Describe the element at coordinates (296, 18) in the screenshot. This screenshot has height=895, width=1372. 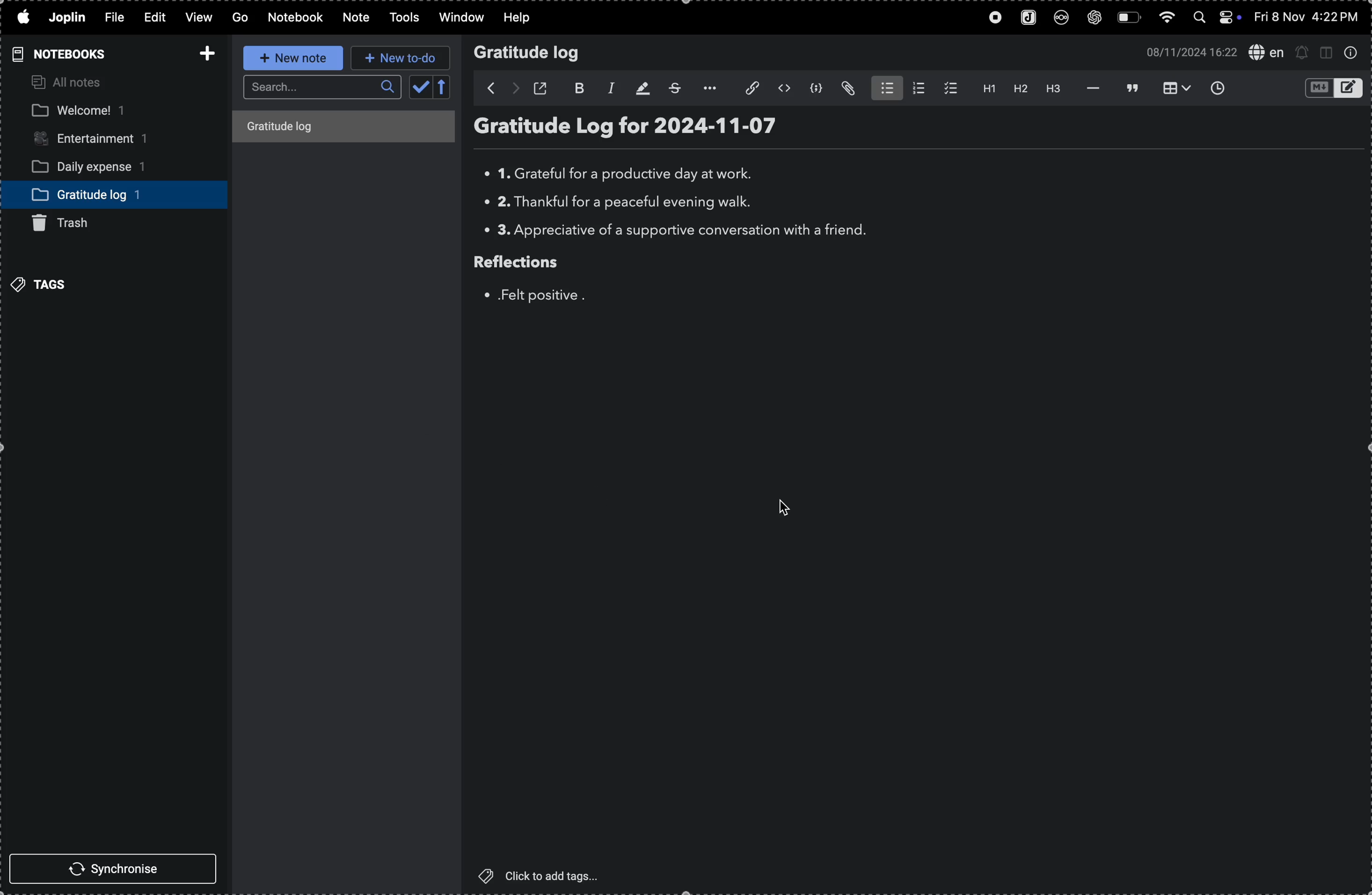
I see `notebook` at that location.